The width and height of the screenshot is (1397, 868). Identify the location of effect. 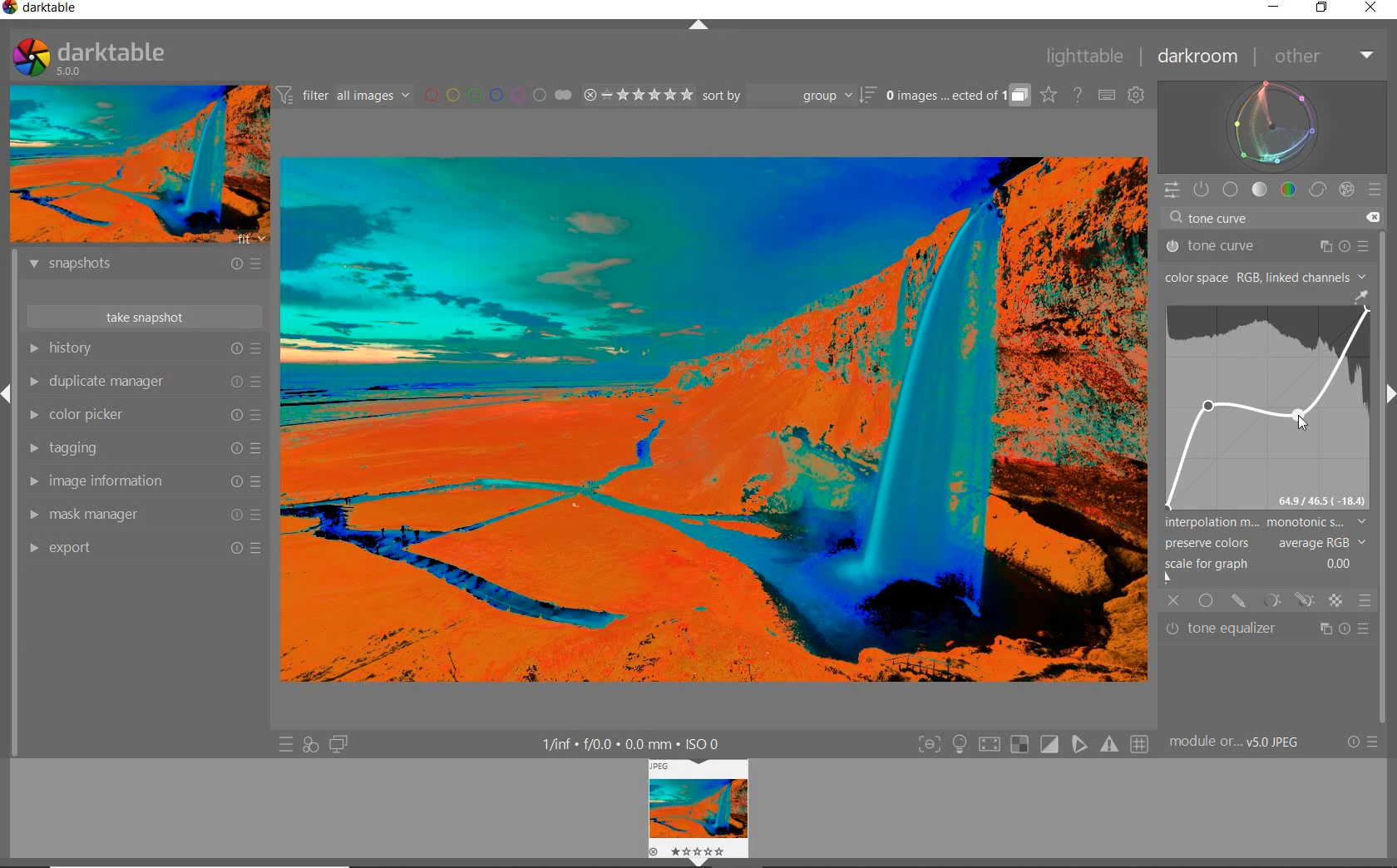
(1344, 189).